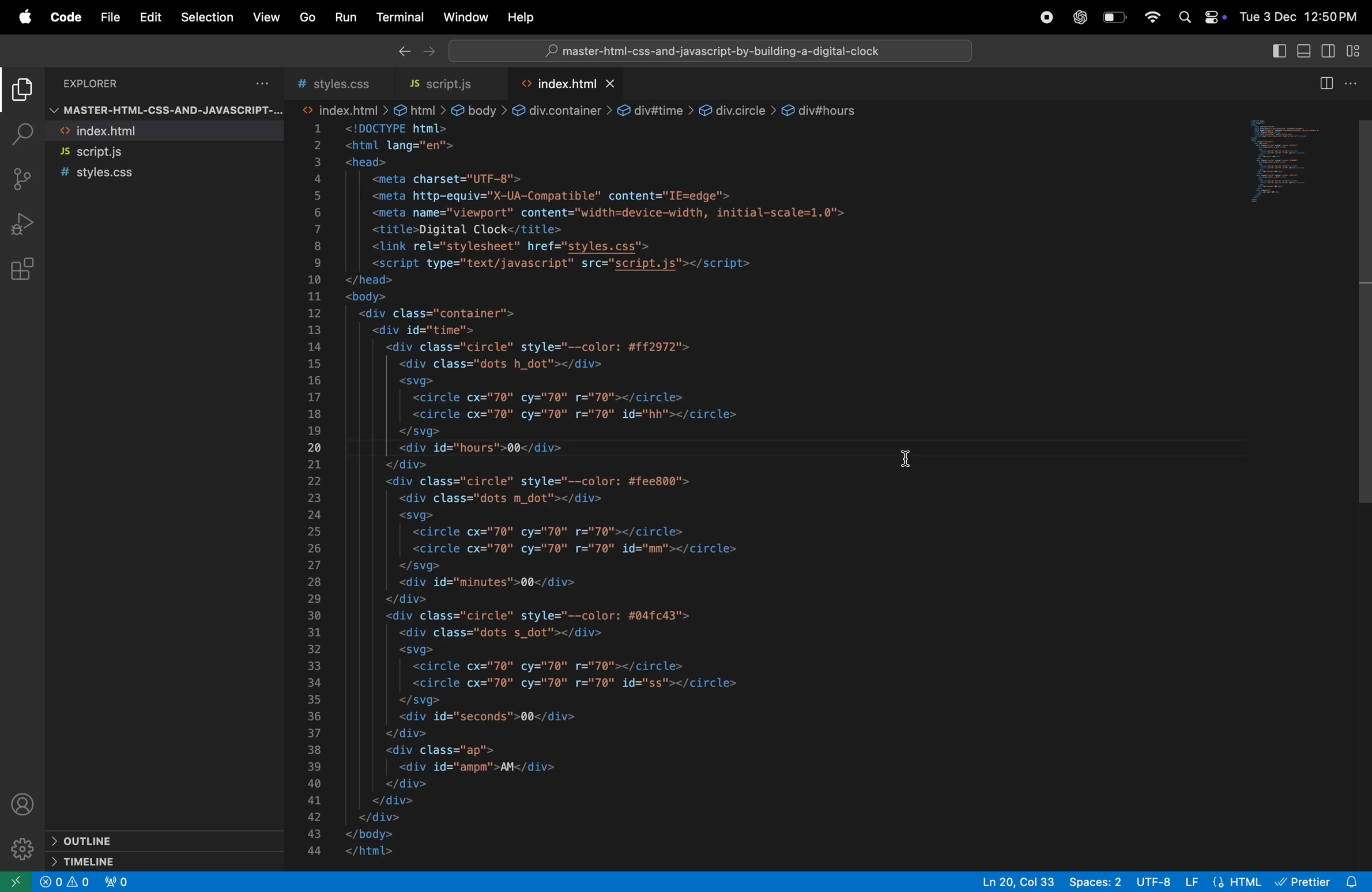 The width and height of the screenshot is (1372, 892). Describe the element at coordinates (1154, 14) in the screenshot. I see `wifi` at that location.